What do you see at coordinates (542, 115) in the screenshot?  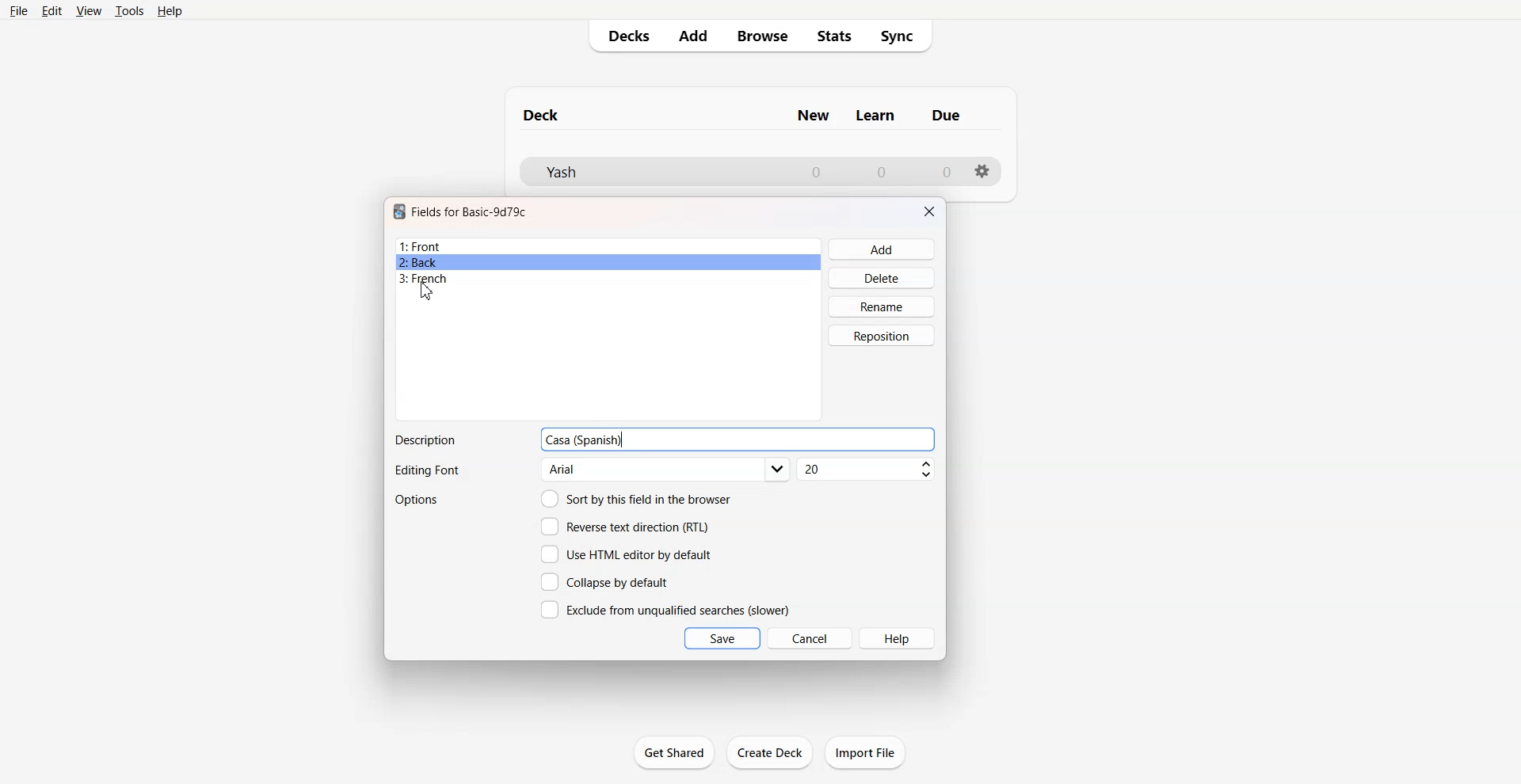 I see `Text 1` at bounding box center [542, 115].